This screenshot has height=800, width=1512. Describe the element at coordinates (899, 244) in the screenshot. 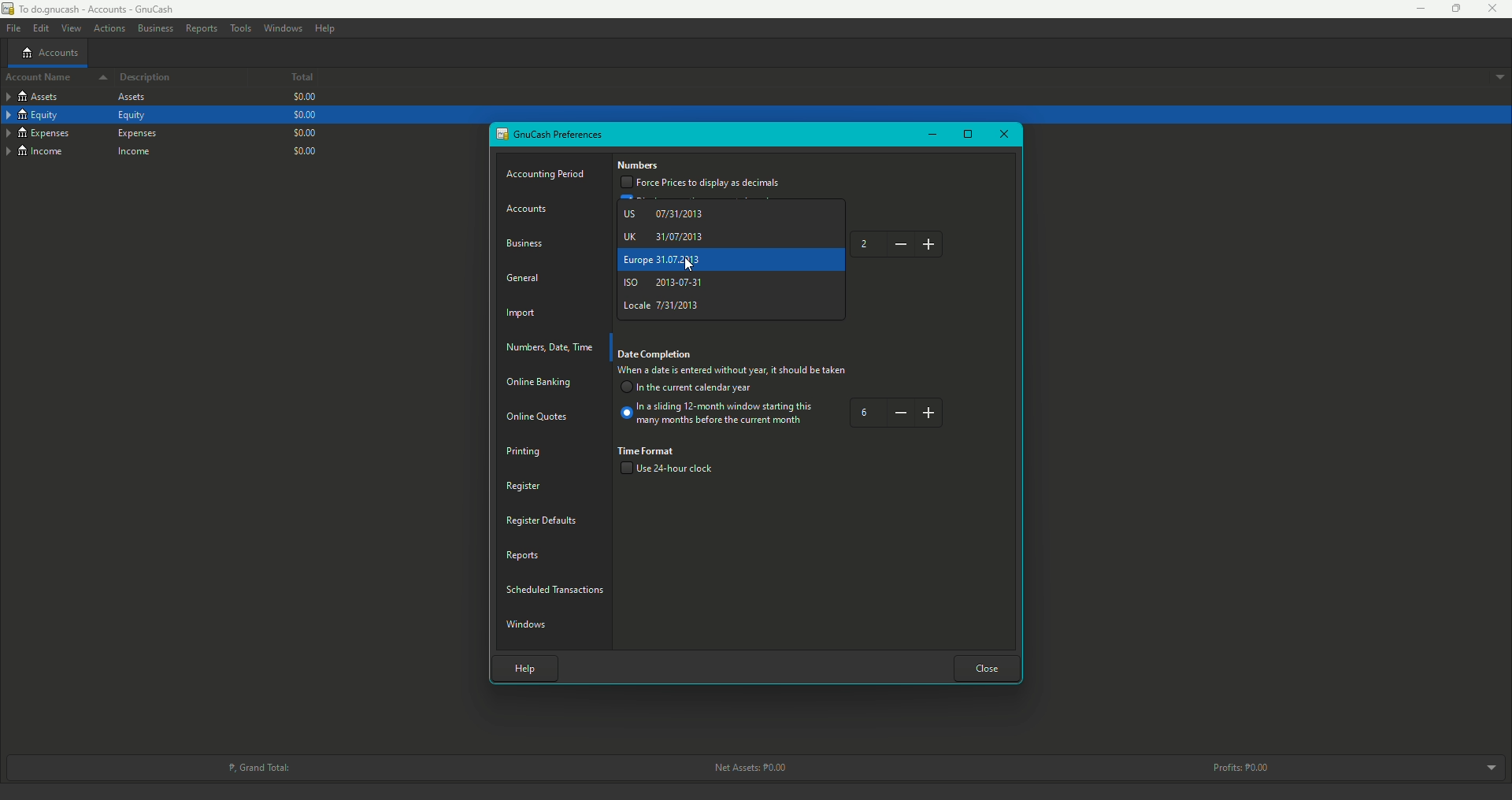

I see `2` at that location.